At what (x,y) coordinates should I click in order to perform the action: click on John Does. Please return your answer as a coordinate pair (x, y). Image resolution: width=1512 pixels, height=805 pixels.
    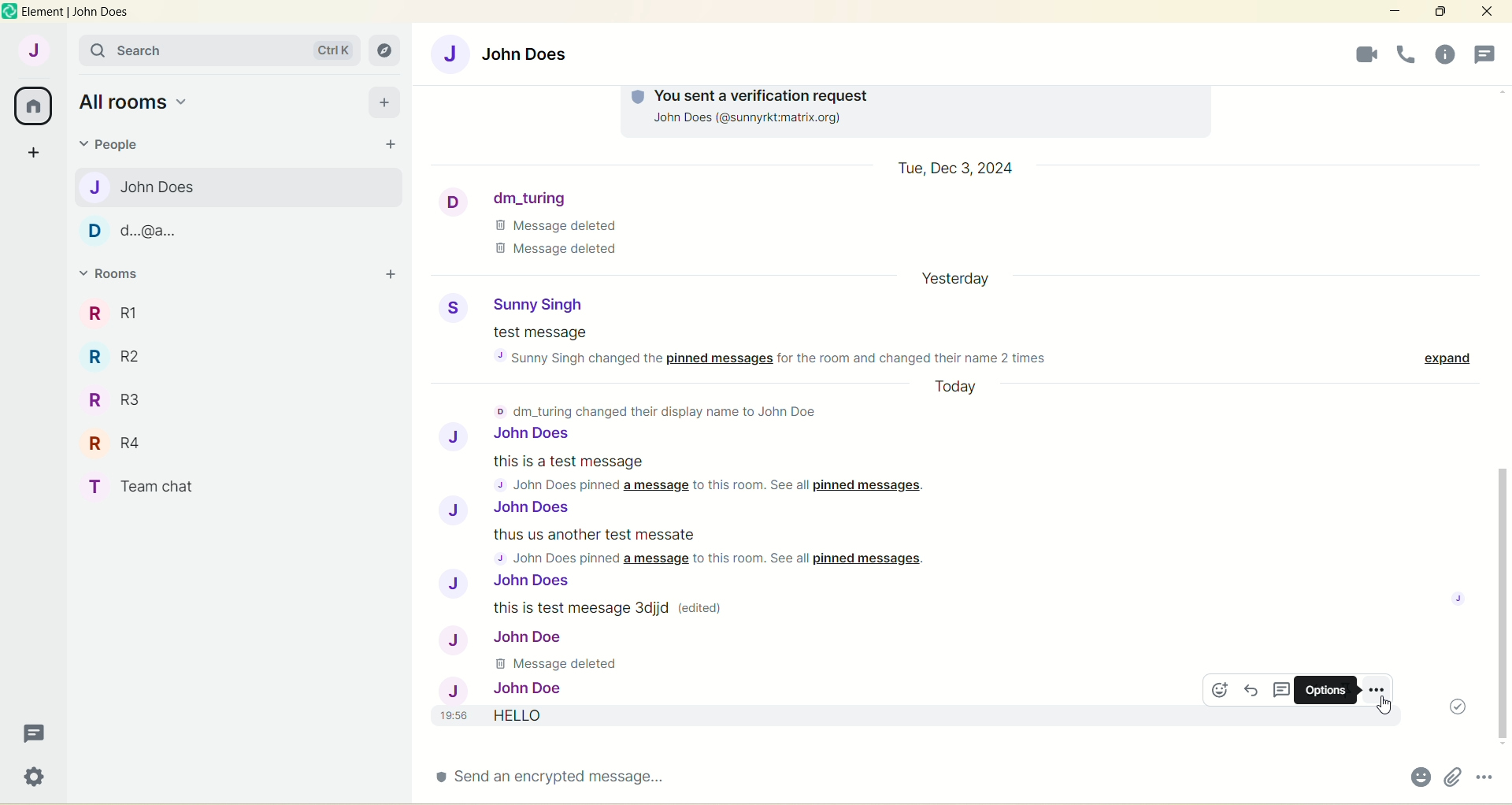
    Looking at the image, I should click on (511, 436).